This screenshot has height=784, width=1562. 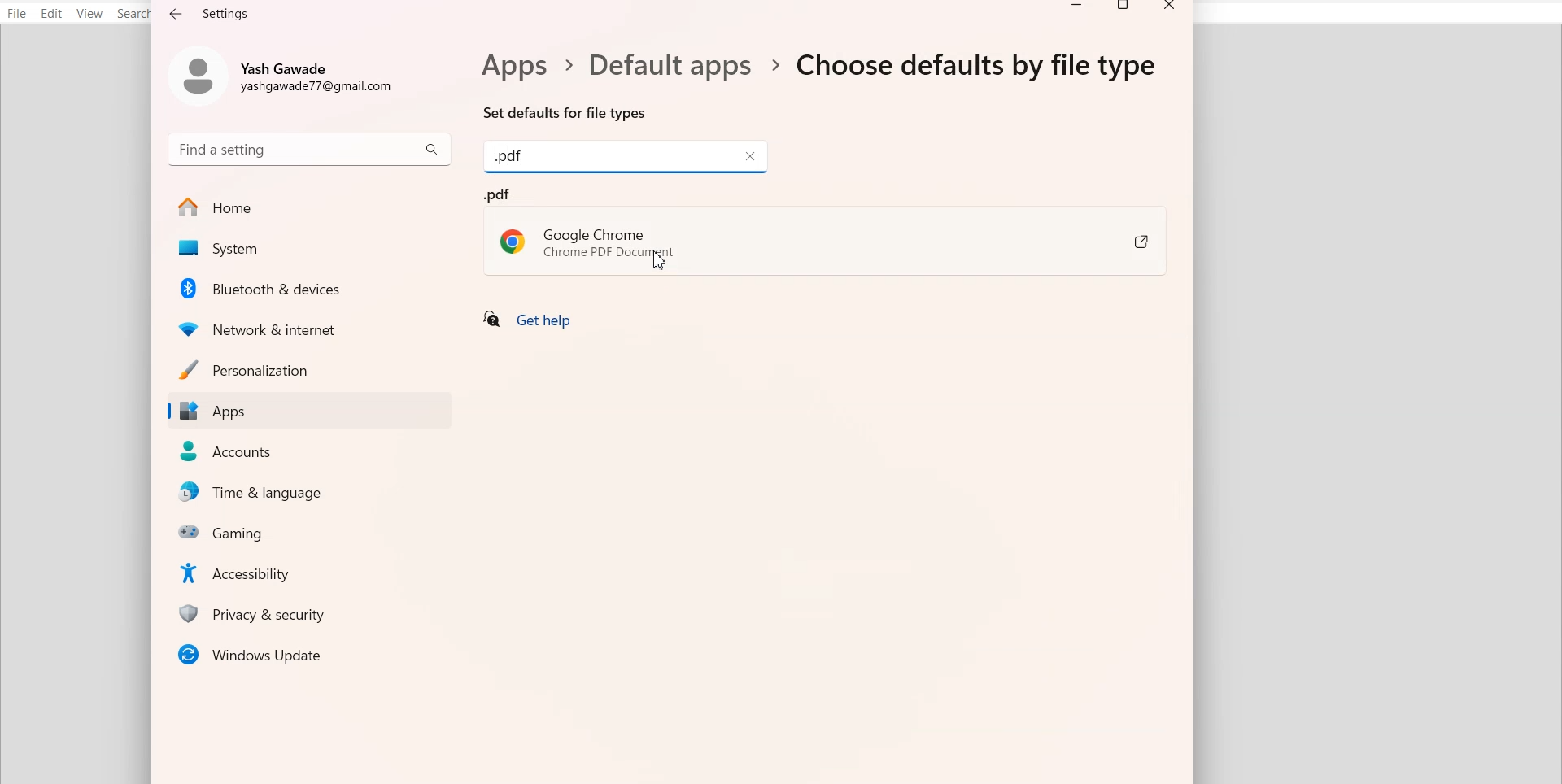 What do you see at coordinates (52, 13) in the screenshot?
I see `Edit` at bounding box center [52, 13].